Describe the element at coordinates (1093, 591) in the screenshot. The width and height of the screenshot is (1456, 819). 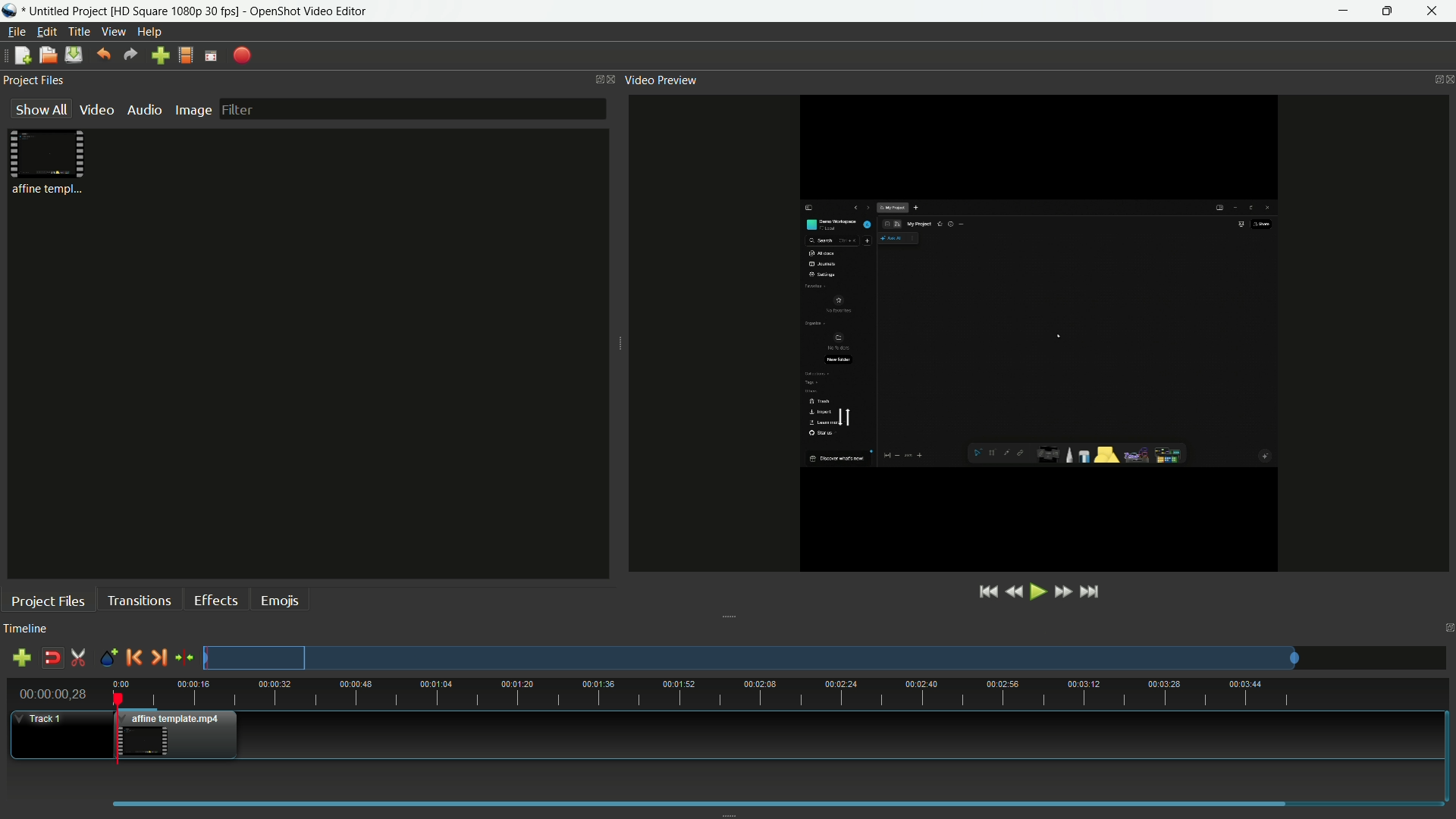
I see `jump to end` at that location.